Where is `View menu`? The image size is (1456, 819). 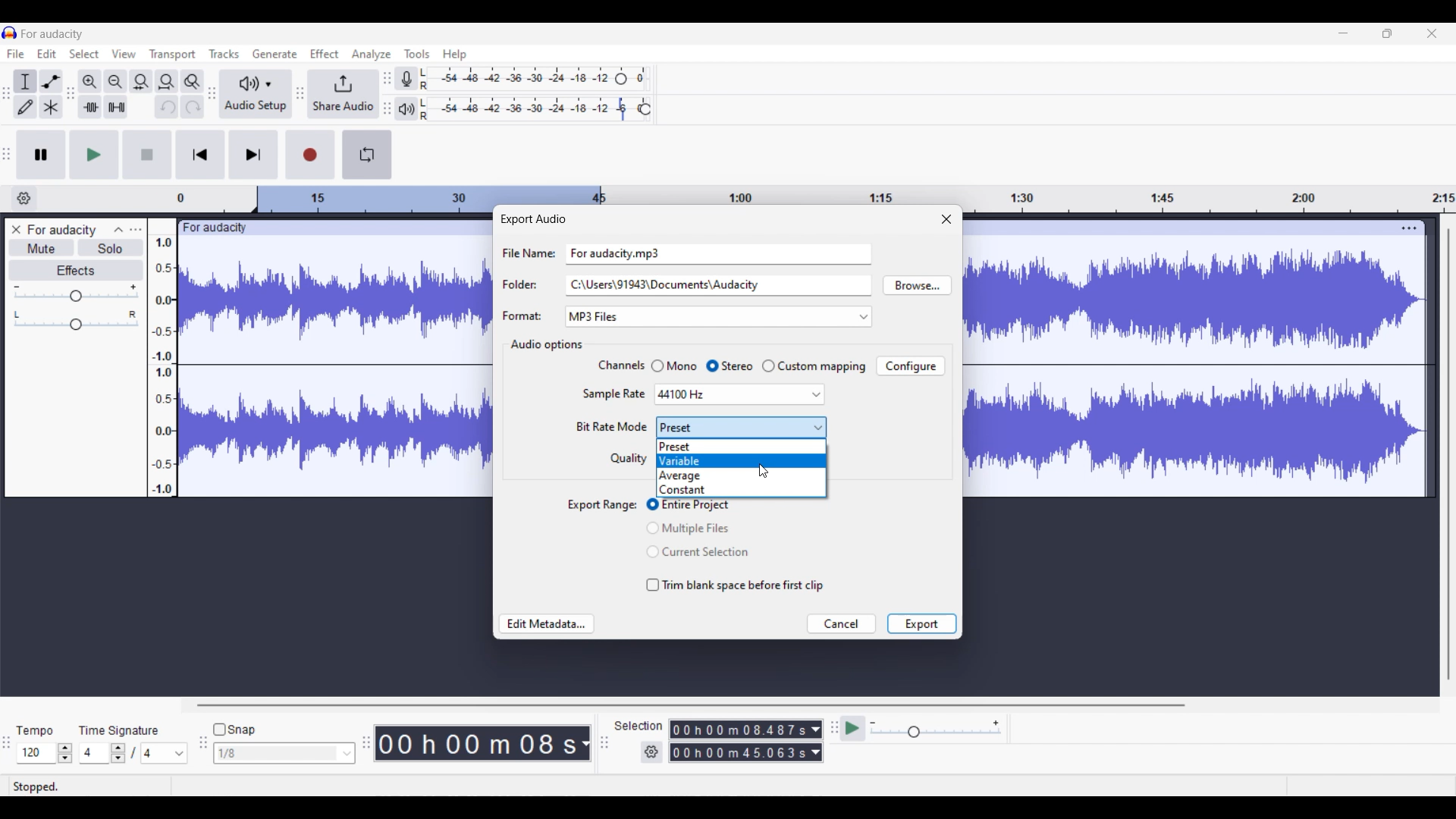 View menu is located at coordinates (124, 54).